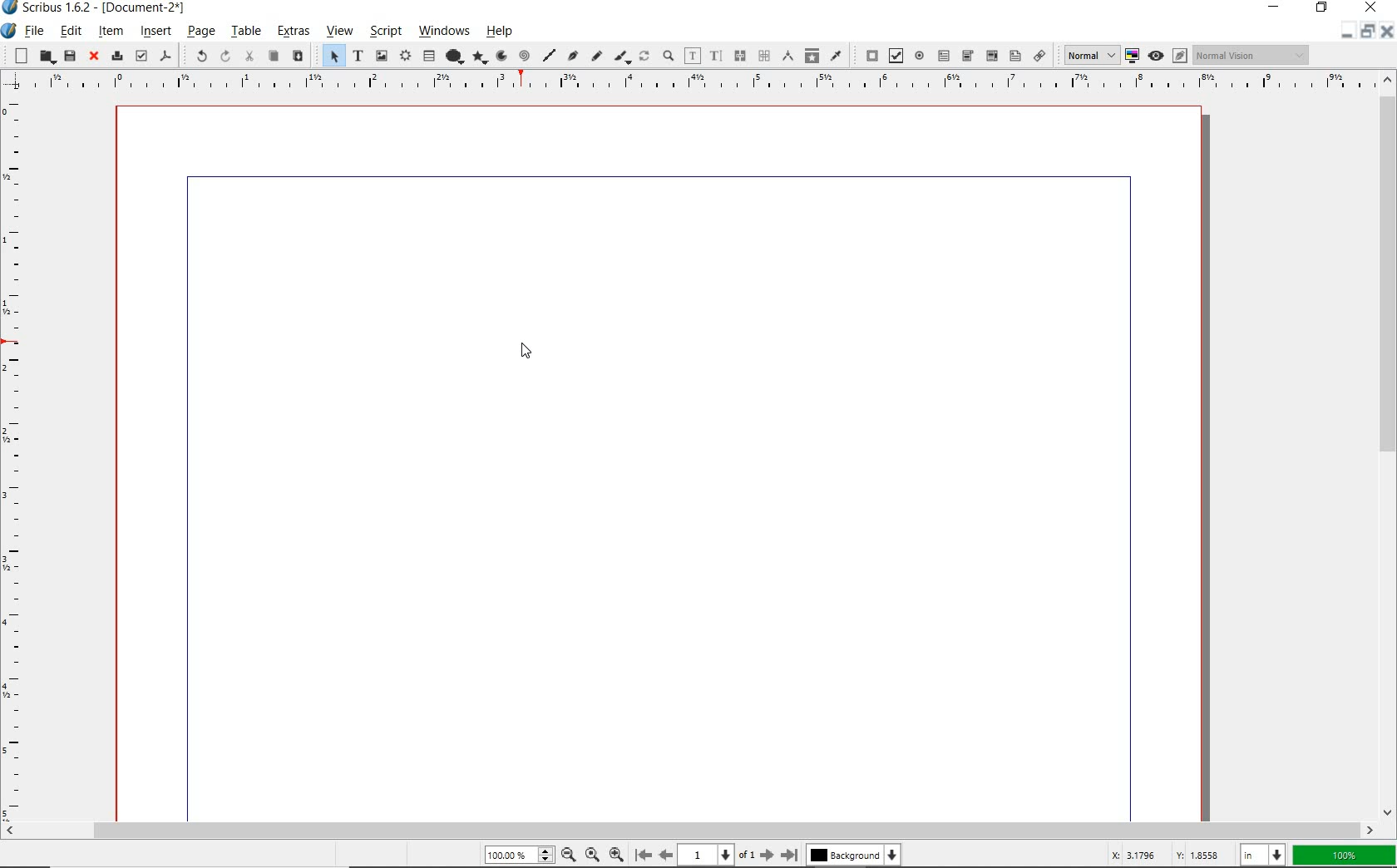 Image resolution: width=1397 pixels, height=868 pixels. What do you see at coordinates (530, 358) in the screenshot?
I see `cursor` at bounding box center [530, 358].